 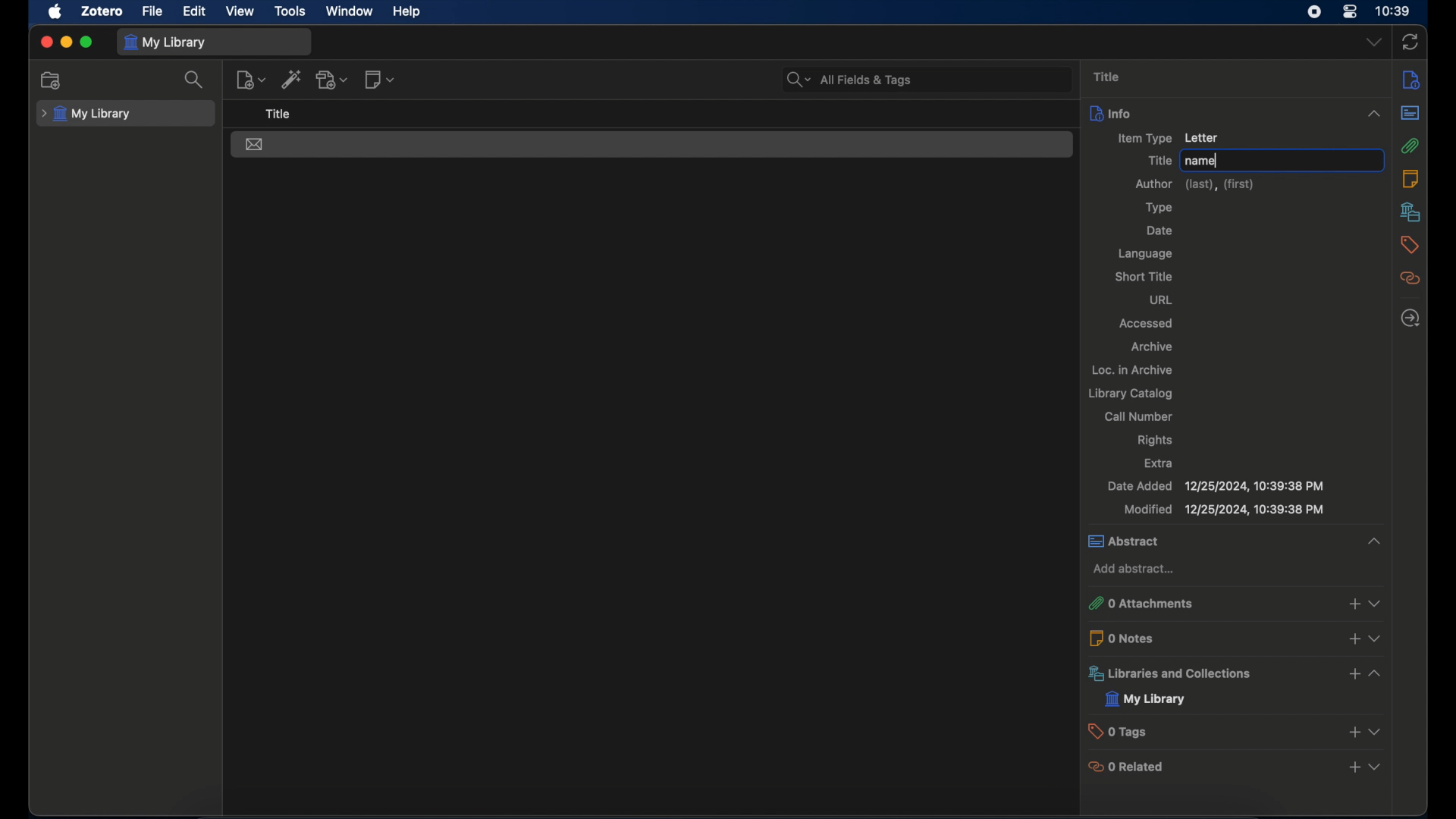 What do you see at coordinates (196, 11) in the screenshot?
I see `edit` at bounding box center [196, 11].